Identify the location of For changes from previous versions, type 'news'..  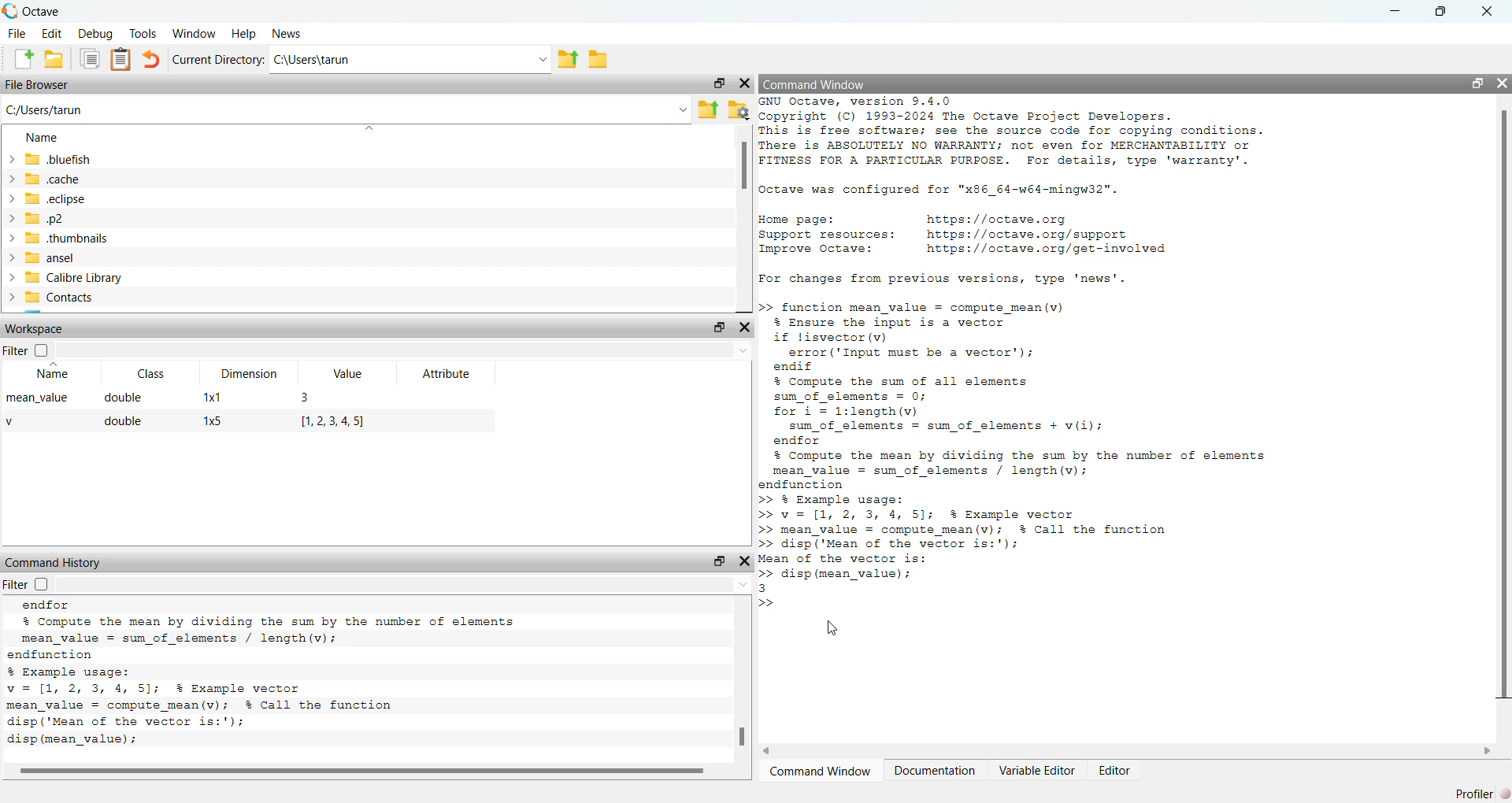
(942, 279).